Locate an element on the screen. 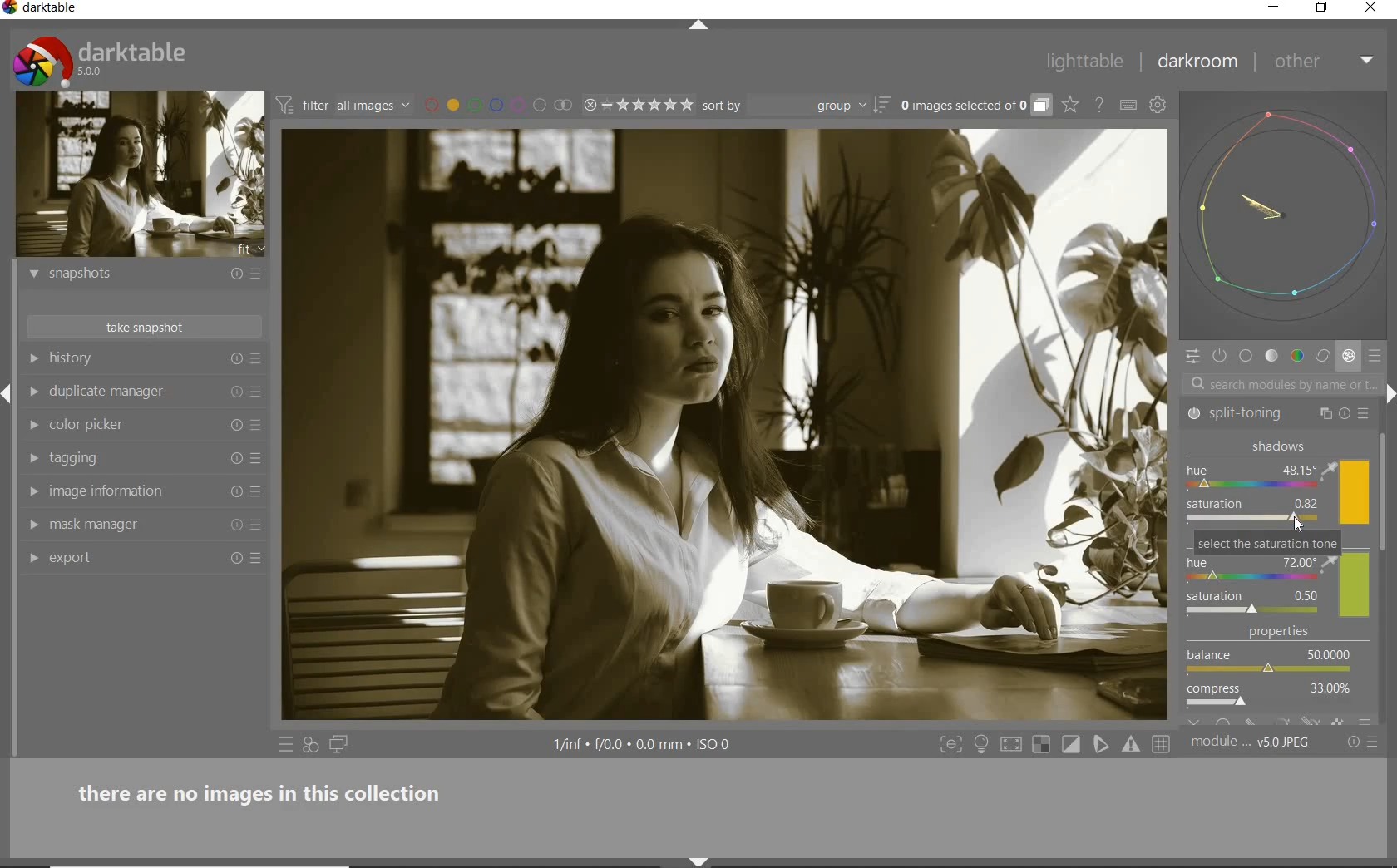 This screenshot has height=868, width=1397. display a second darkroom image window is located at coordinates (339, 745).